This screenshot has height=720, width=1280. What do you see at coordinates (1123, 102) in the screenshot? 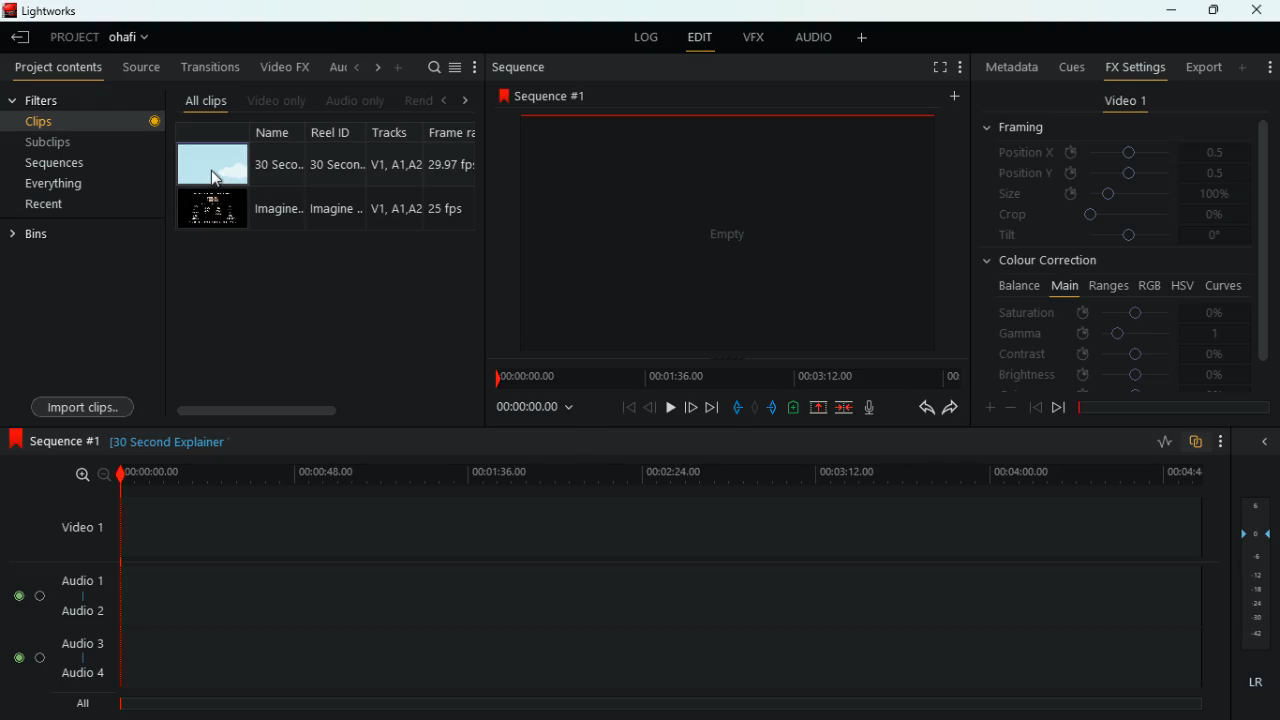
I see `video 1` at bounding box center [1123, 102].